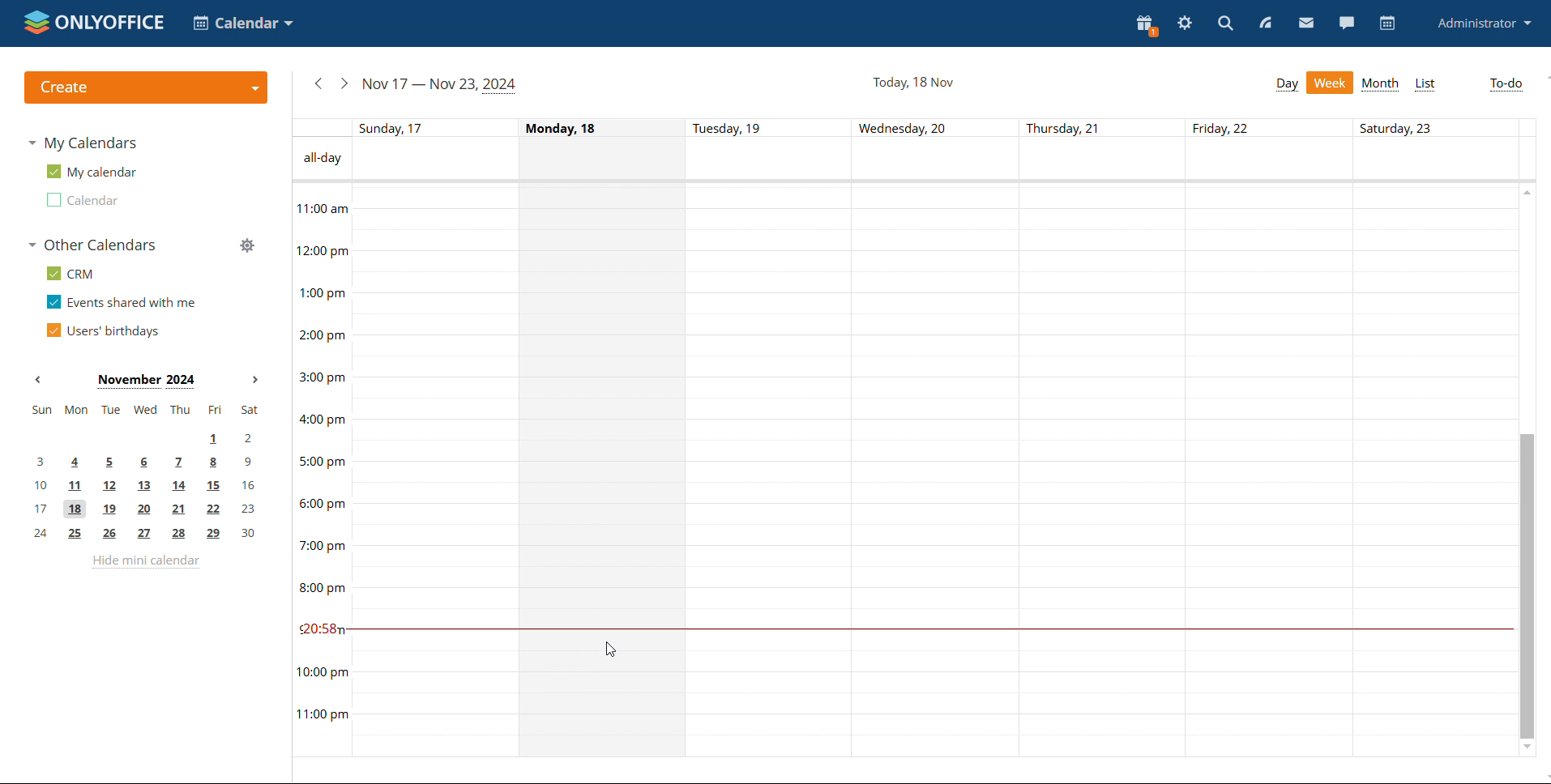 The image size is (1551, 784). I want to click on select application, so click(245, 23).